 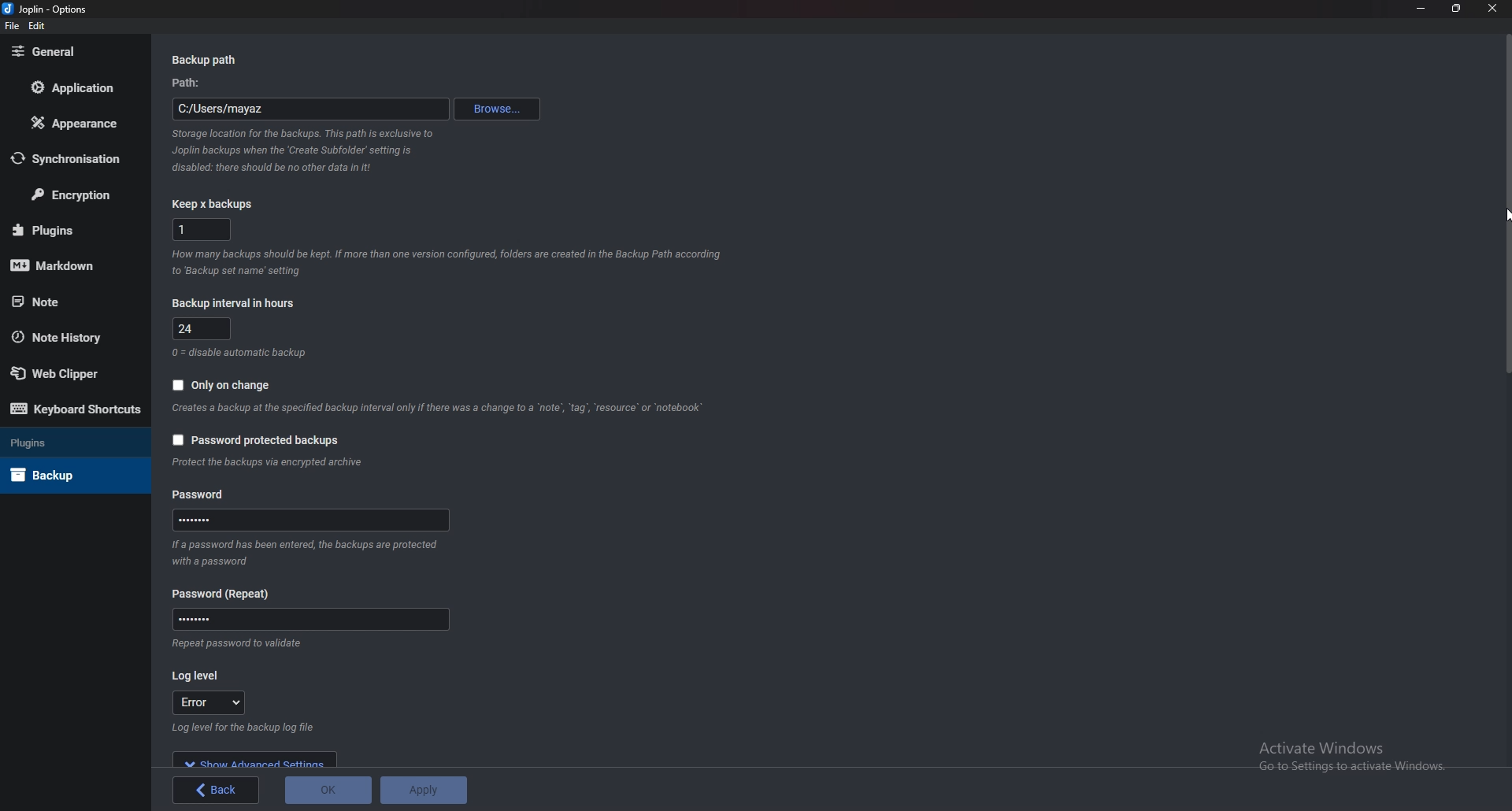 What do you see at coordinates (1457, 9) in the screenshot?
I see `Resize` at bounding box center [1457, 9].